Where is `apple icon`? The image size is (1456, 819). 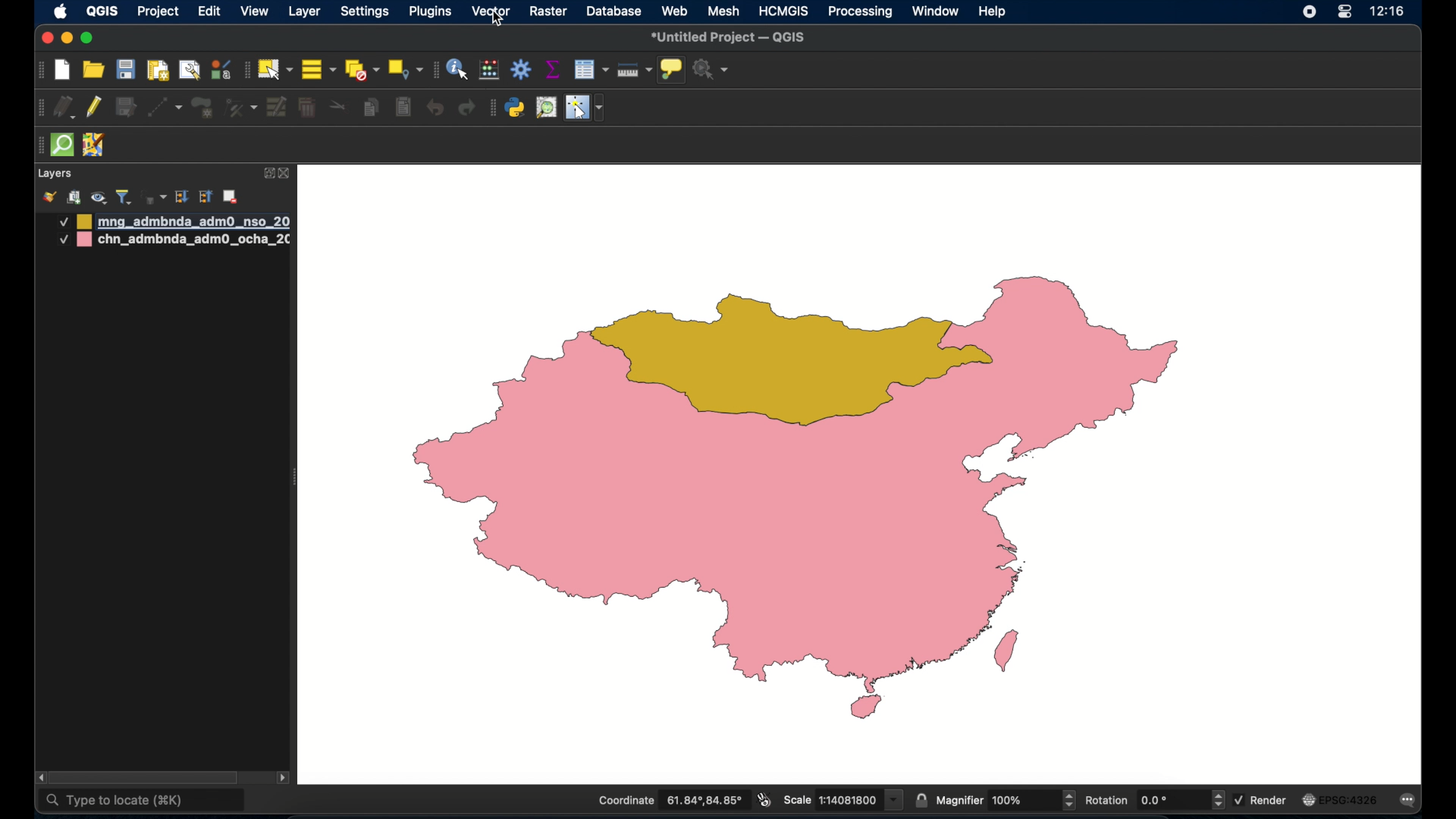 apple icon is located at coordinates (61, 11).